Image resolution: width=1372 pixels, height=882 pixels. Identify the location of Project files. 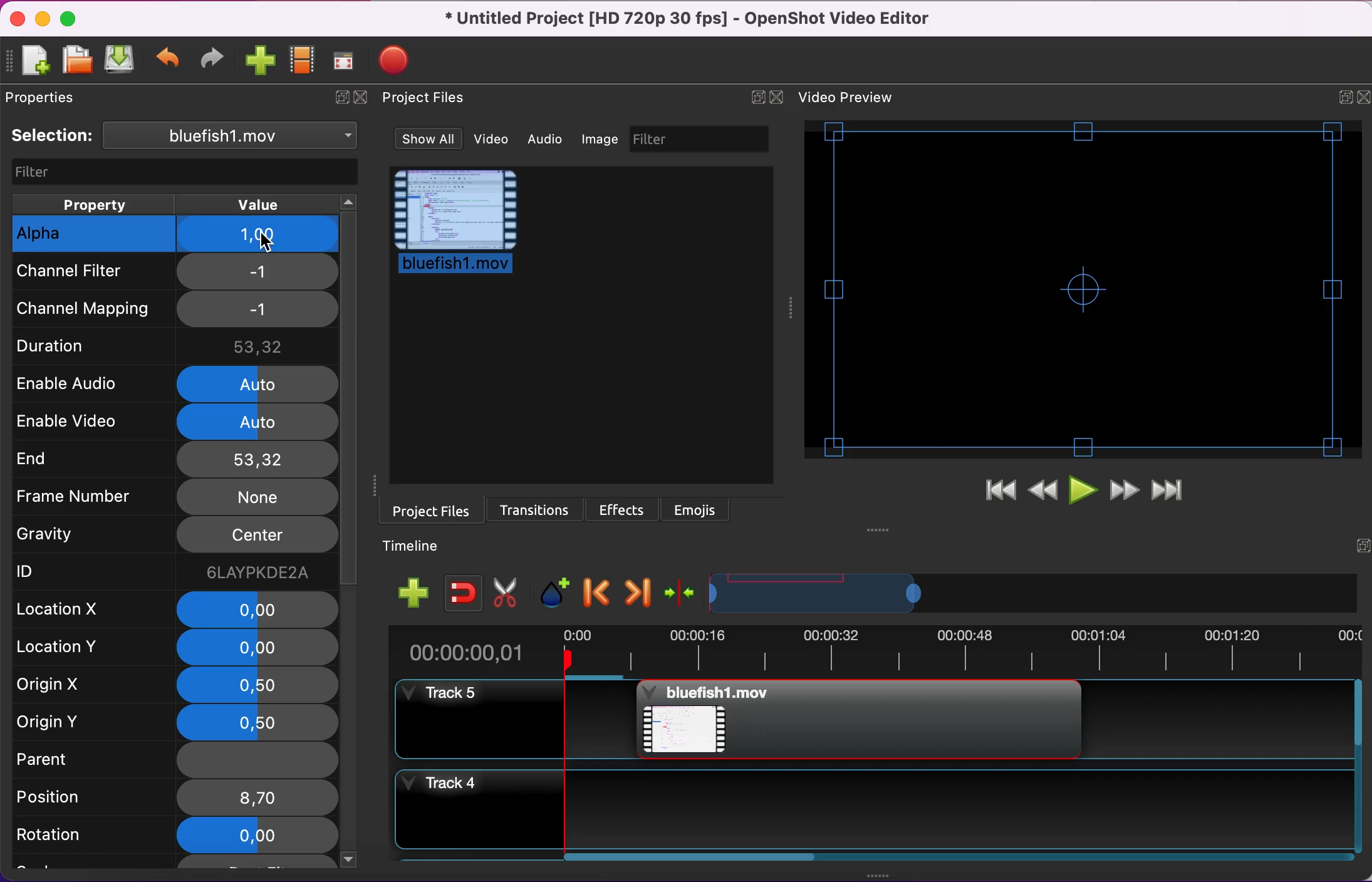
(422, 97).